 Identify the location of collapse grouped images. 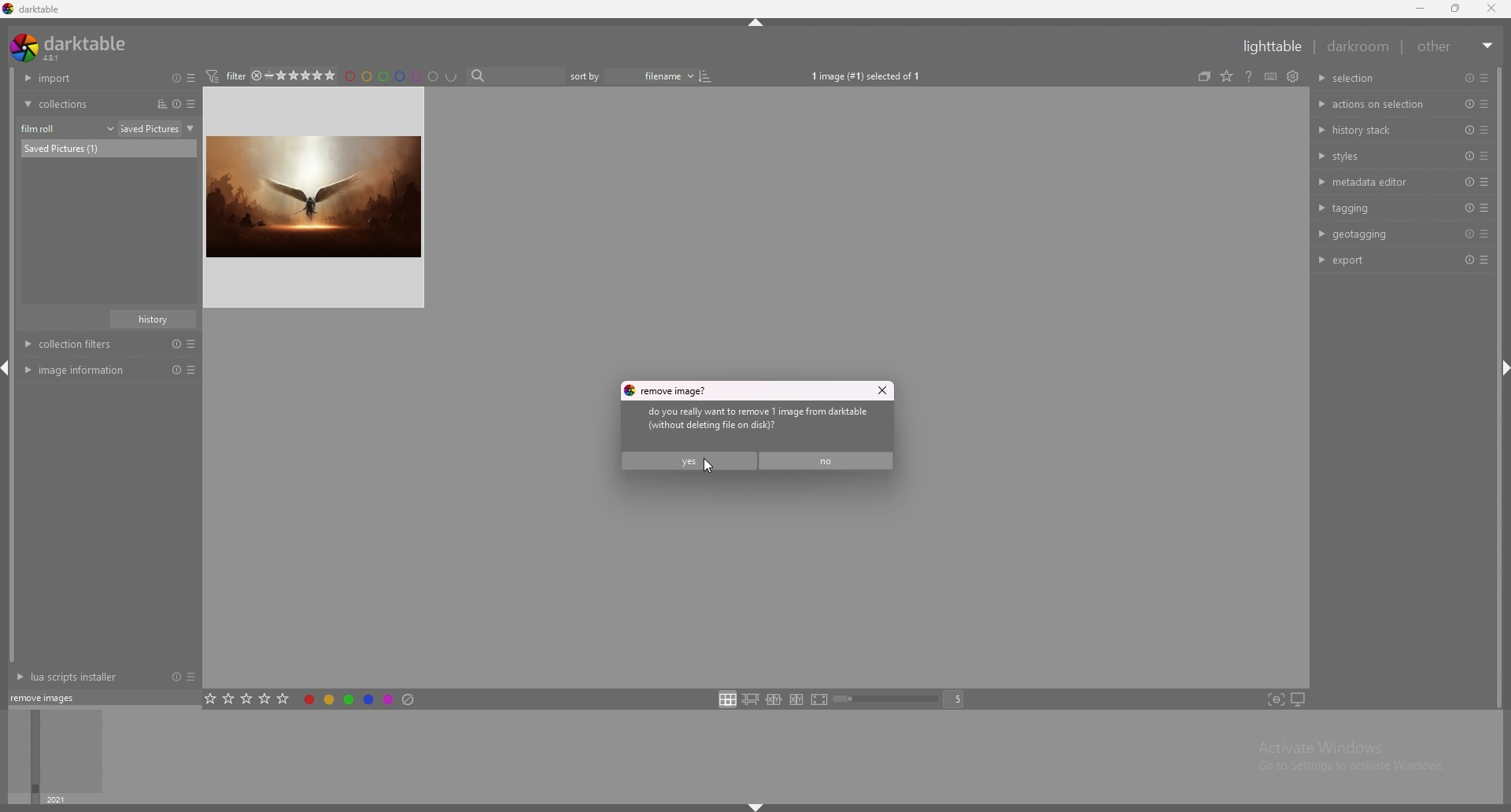
(1222, 76).